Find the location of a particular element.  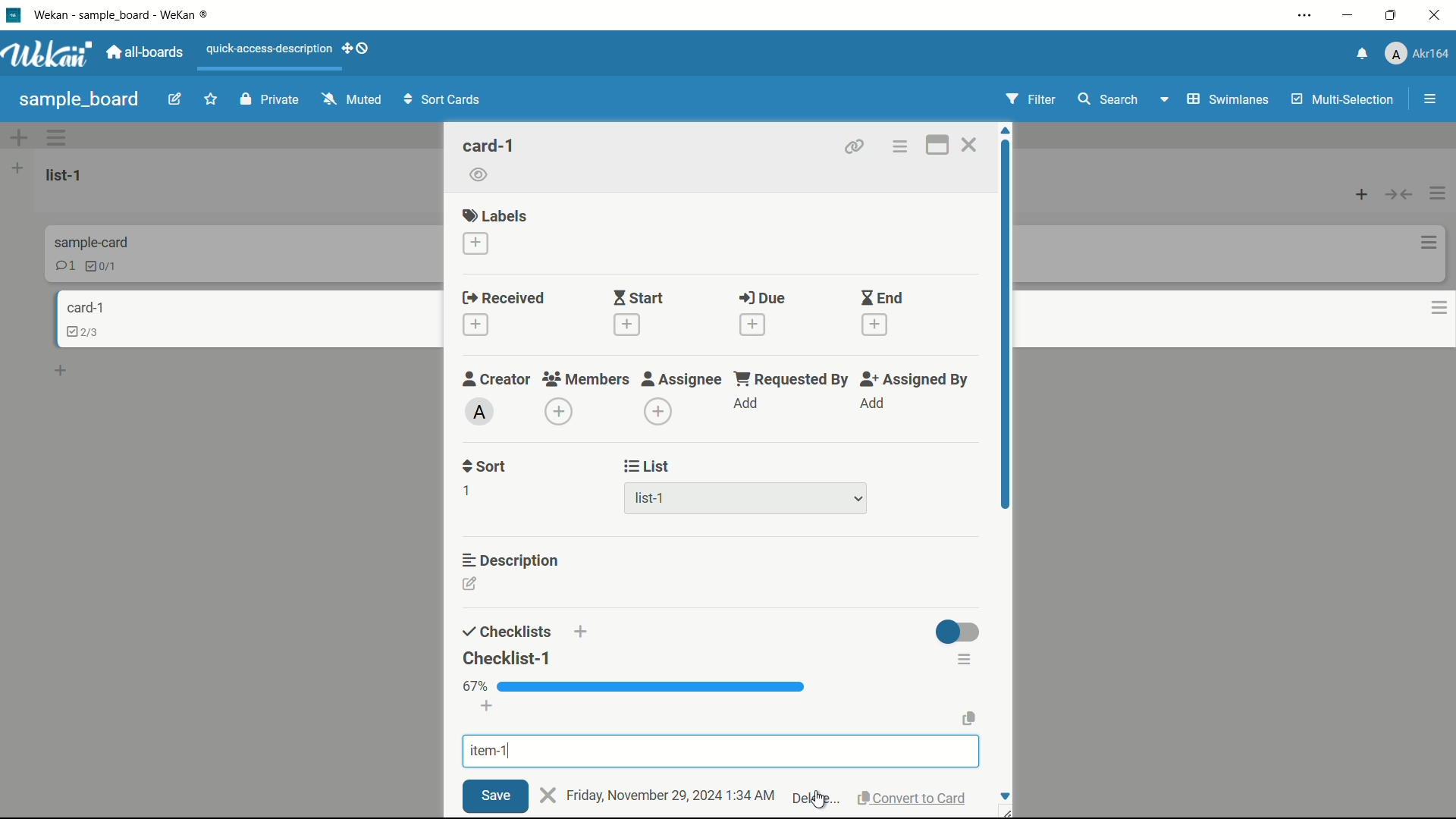

collapse is located at coordinates (1398, 193).